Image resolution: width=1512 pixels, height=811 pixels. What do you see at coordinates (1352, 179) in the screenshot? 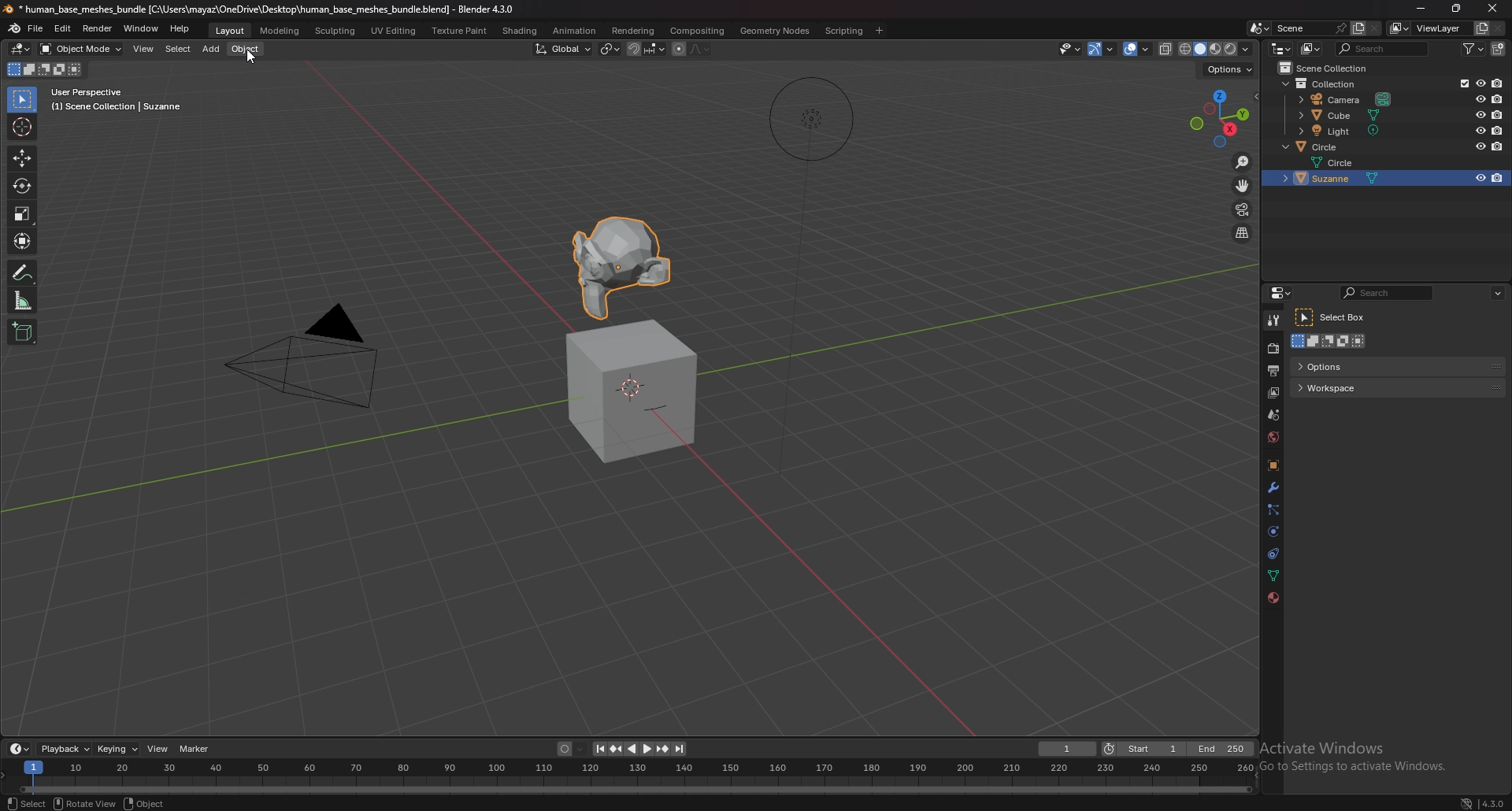
I see `suzanne` at bounding box center [1352, 179].